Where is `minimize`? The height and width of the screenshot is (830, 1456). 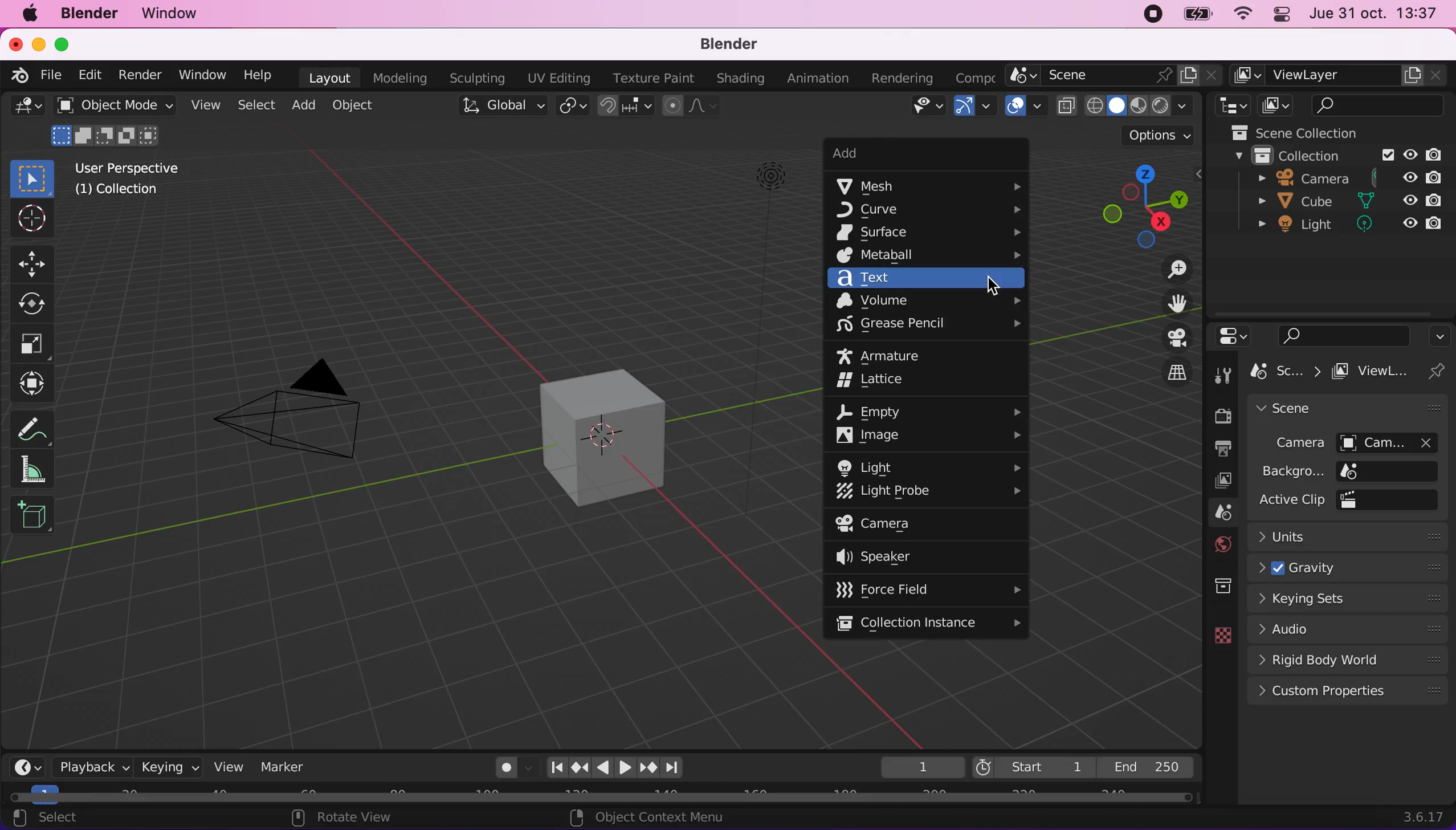 minimize is located at coordinates (39, 43).